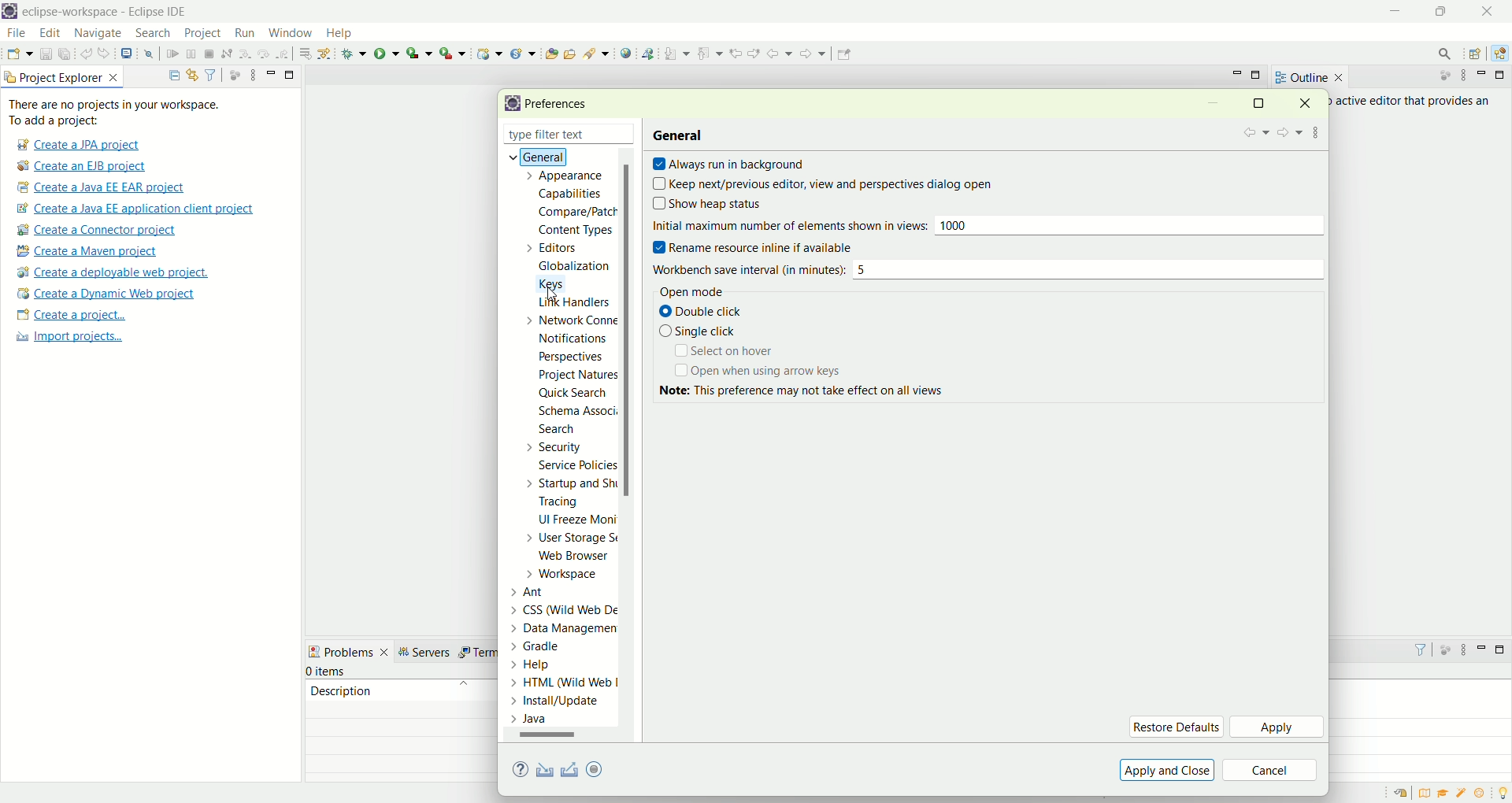 The width and height of the screenshot is (1512, 803). Describe the element at coordinates (554, 627) in the screenshot. I see ` Data Management` at that location.